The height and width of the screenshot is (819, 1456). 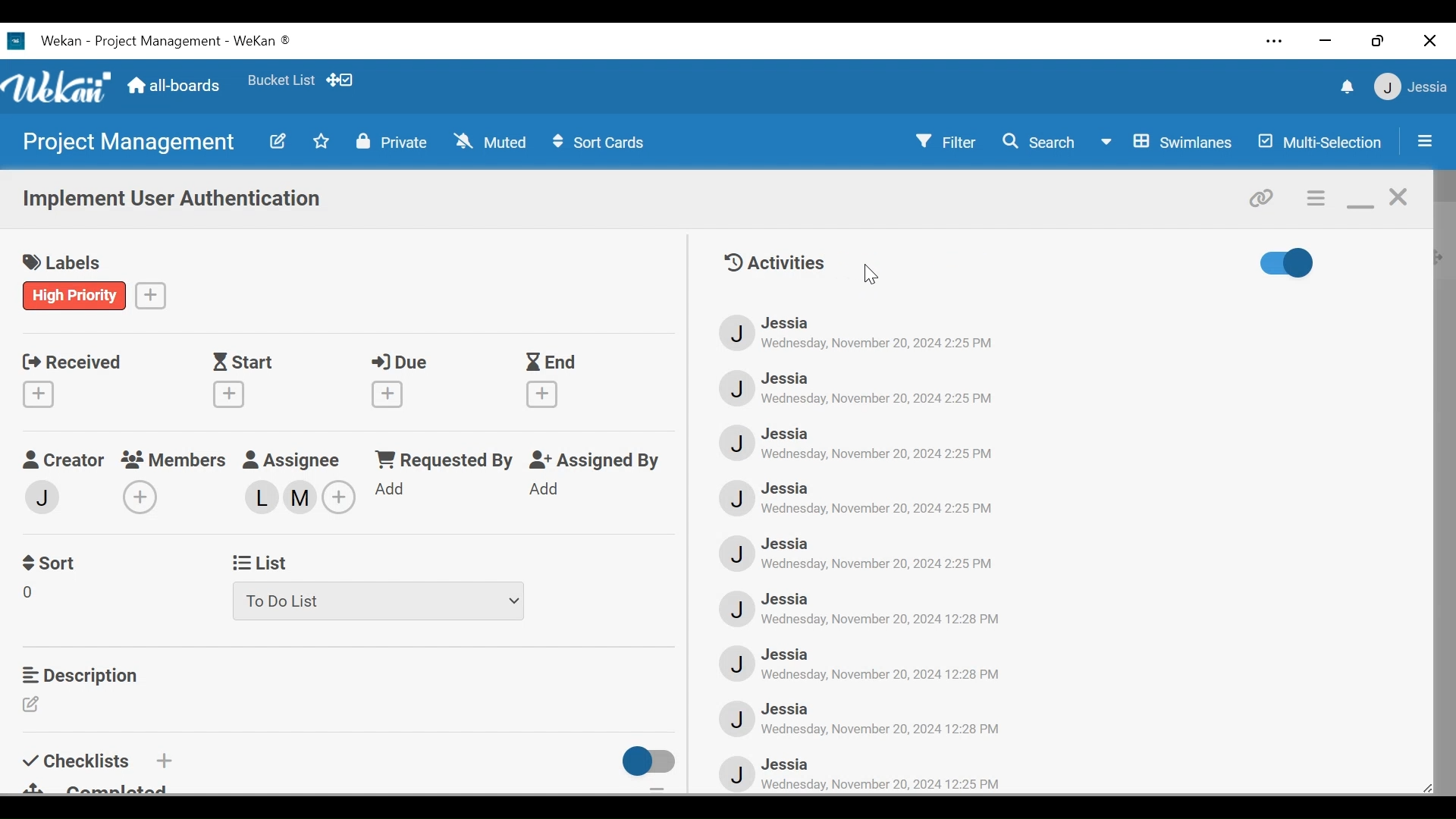 I want to click on Date, so click(x=880, y=510).